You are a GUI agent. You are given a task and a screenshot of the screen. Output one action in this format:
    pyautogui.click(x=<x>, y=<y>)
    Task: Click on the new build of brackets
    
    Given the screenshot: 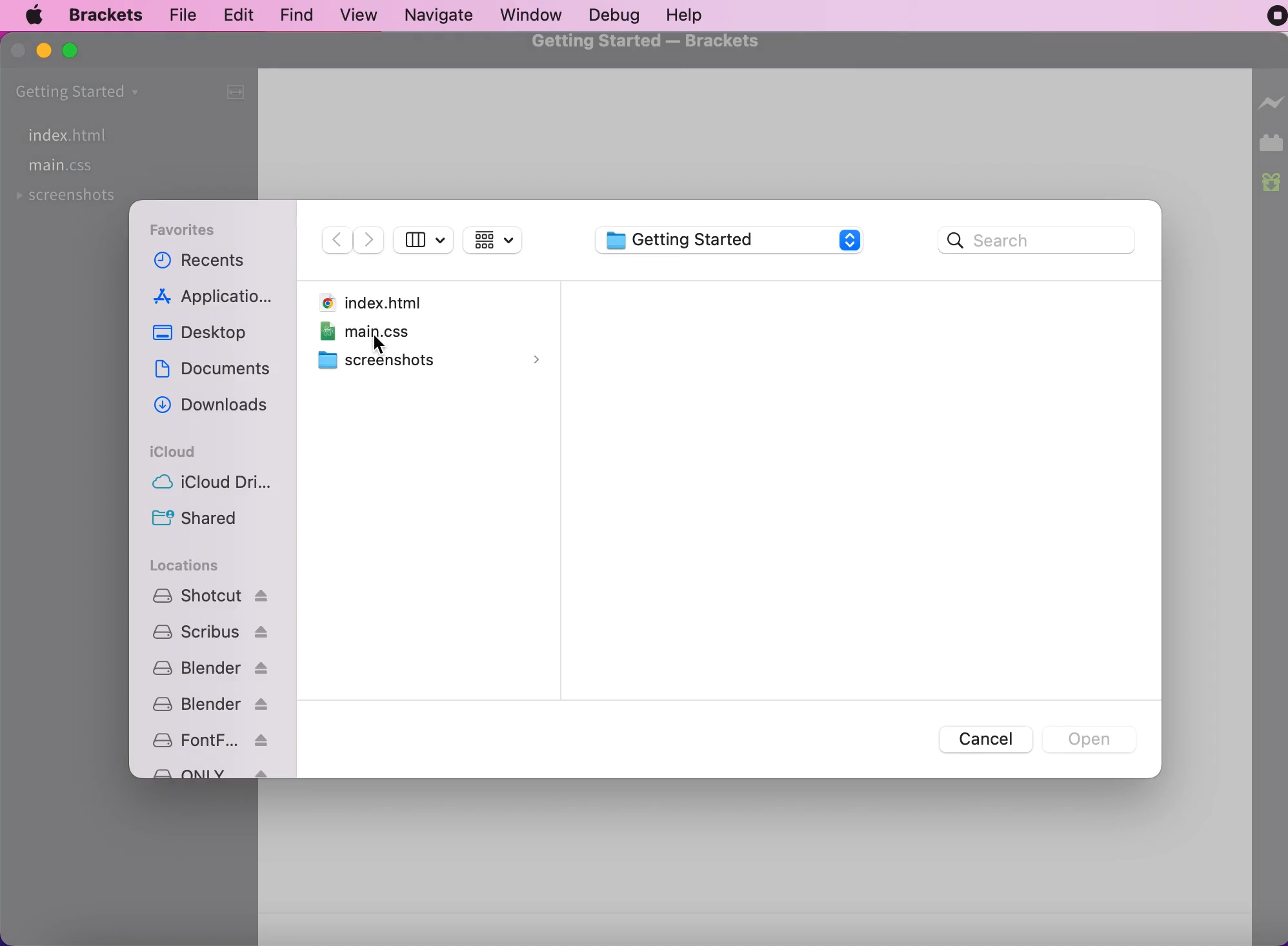 What is the action you would take?
    pyautogui.click(x=1271, y=183)
    